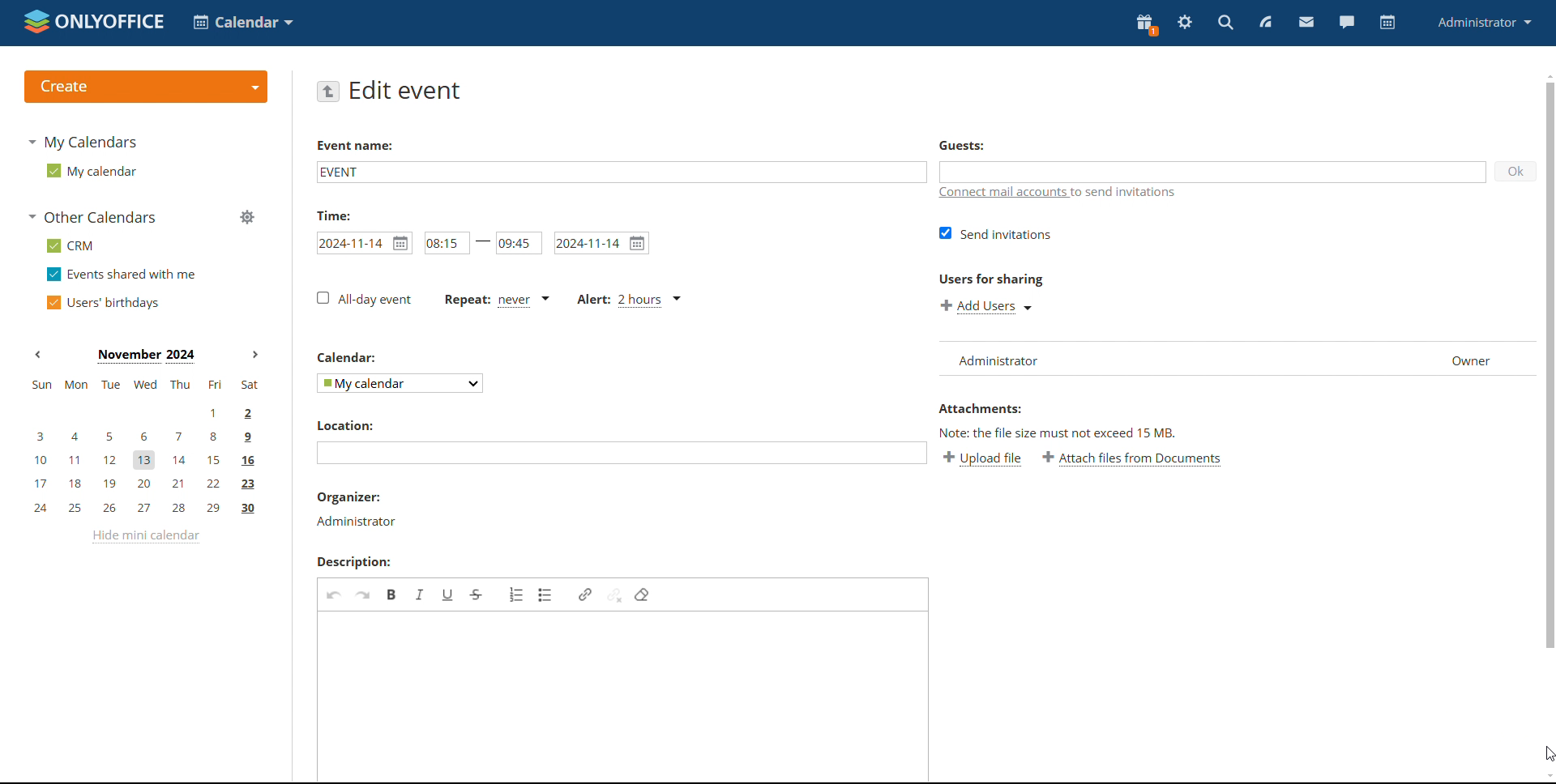  Describe the element at coordinates (145, 88) in the screenshot. I see `create` at that location.